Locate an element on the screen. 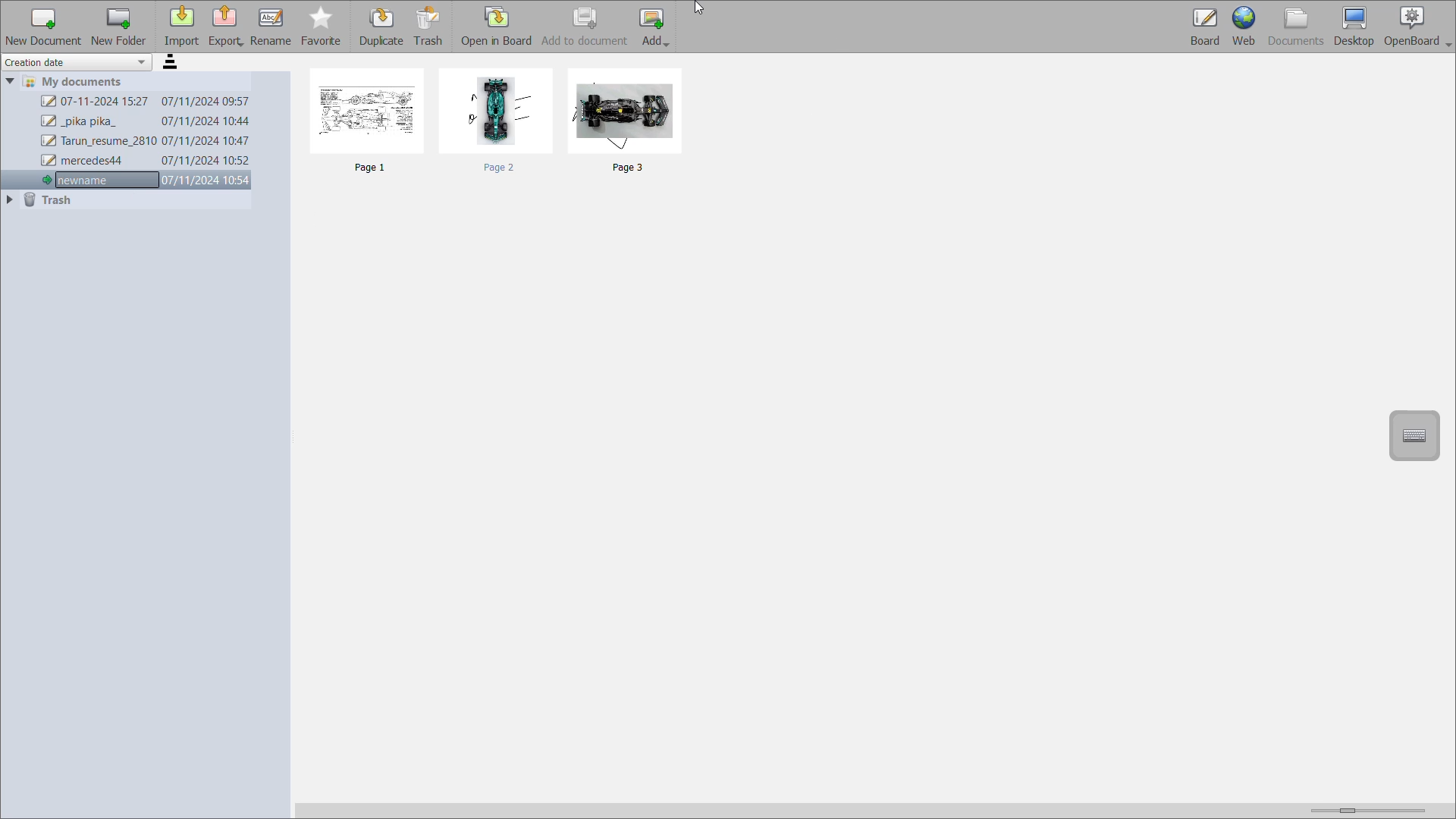  import is located at coordinates (181, 27).